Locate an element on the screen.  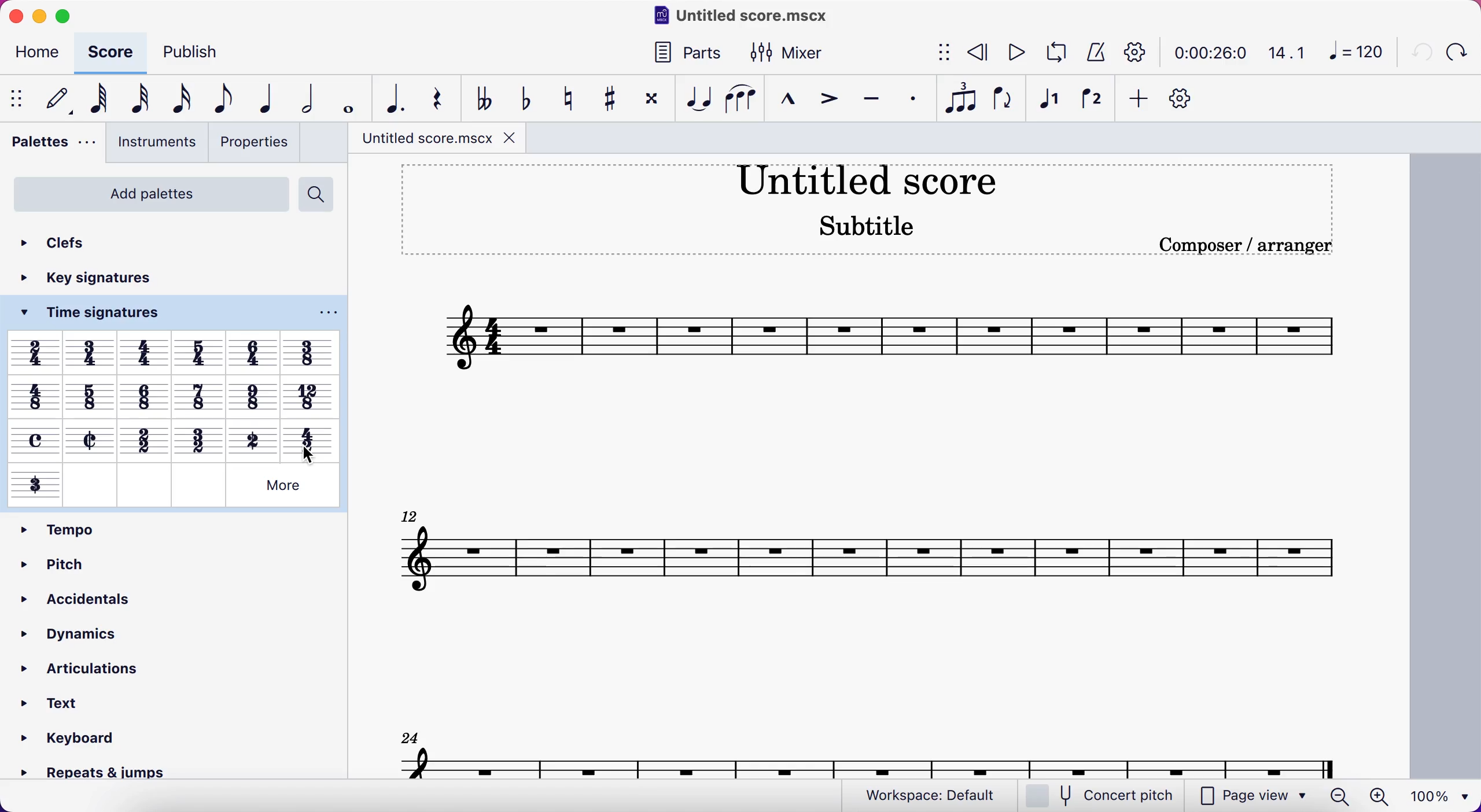
100% is located at coordinates (1438, 796).